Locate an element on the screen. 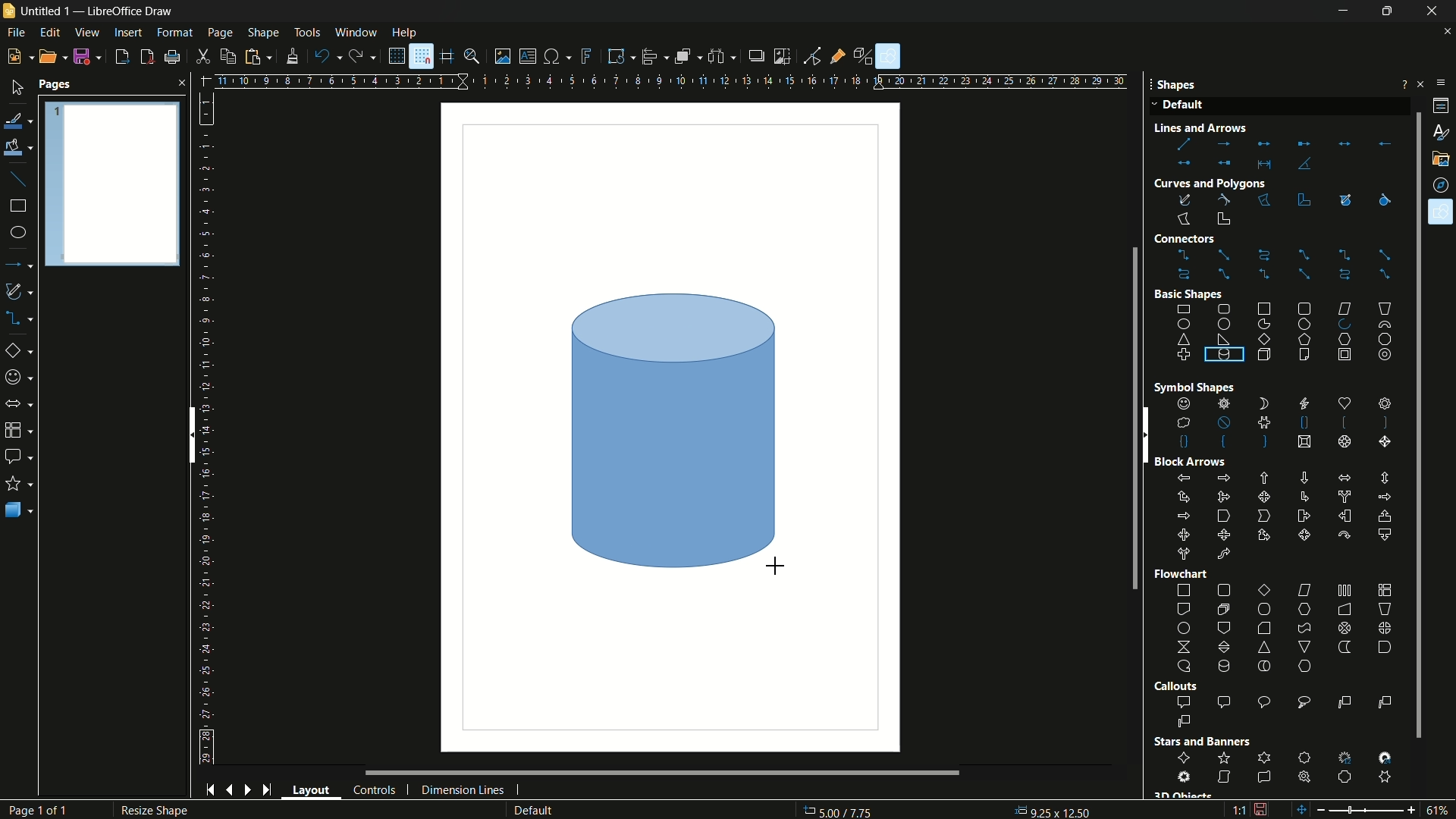 This screenshot has height=819, width=1456. Block Arrows is located at coordinates (1191, 462).